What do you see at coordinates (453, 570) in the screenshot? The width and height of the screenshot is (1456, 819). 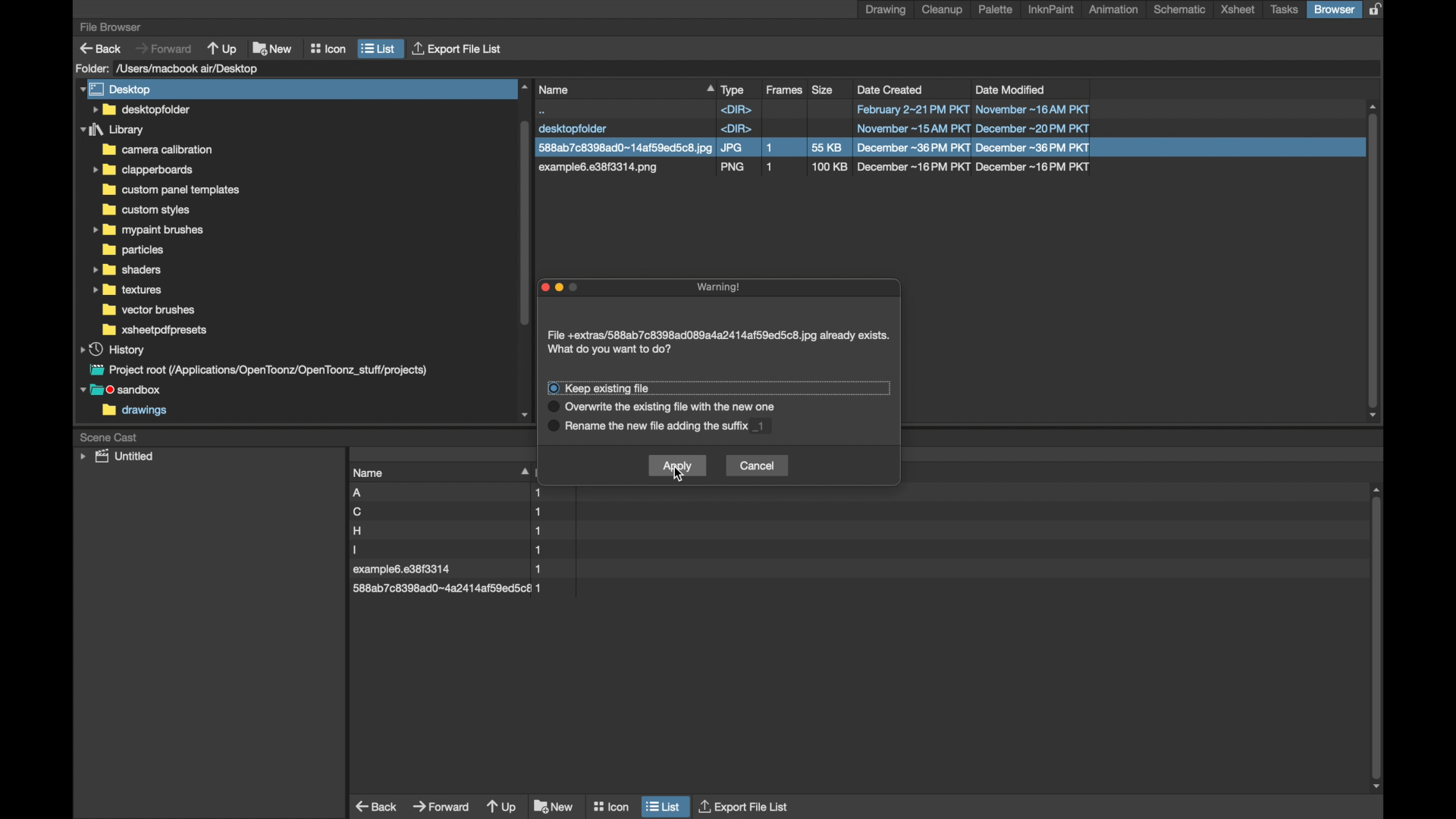 I see `file` at bounding box center [453, 570].